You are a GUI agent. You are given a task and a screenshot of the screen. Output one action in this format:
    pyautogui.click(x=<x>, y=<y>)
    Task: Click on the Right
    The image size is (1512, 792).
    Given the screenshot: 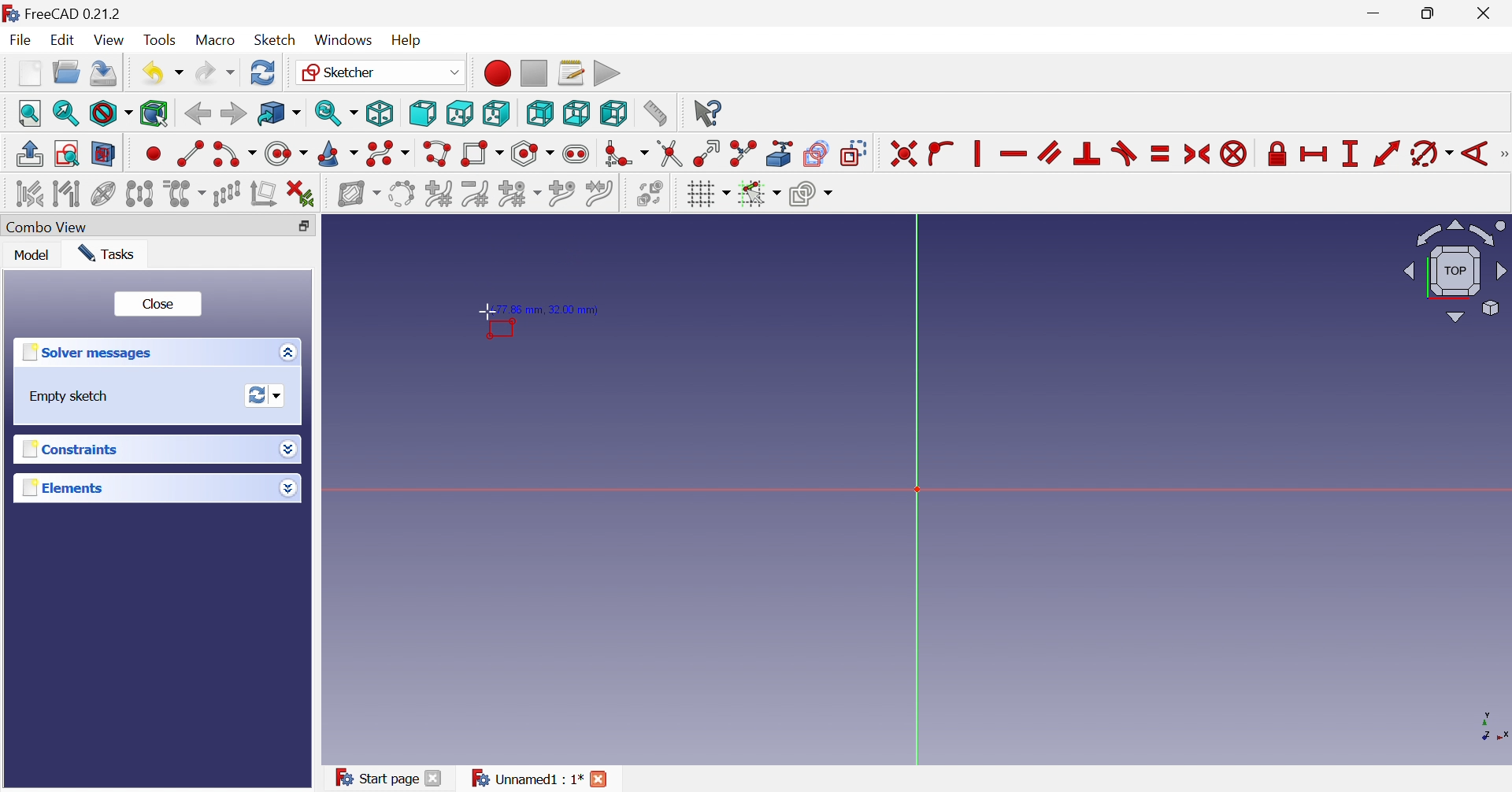 What is the action you would take?
    pyautogui.click(x=495, y=113)
    